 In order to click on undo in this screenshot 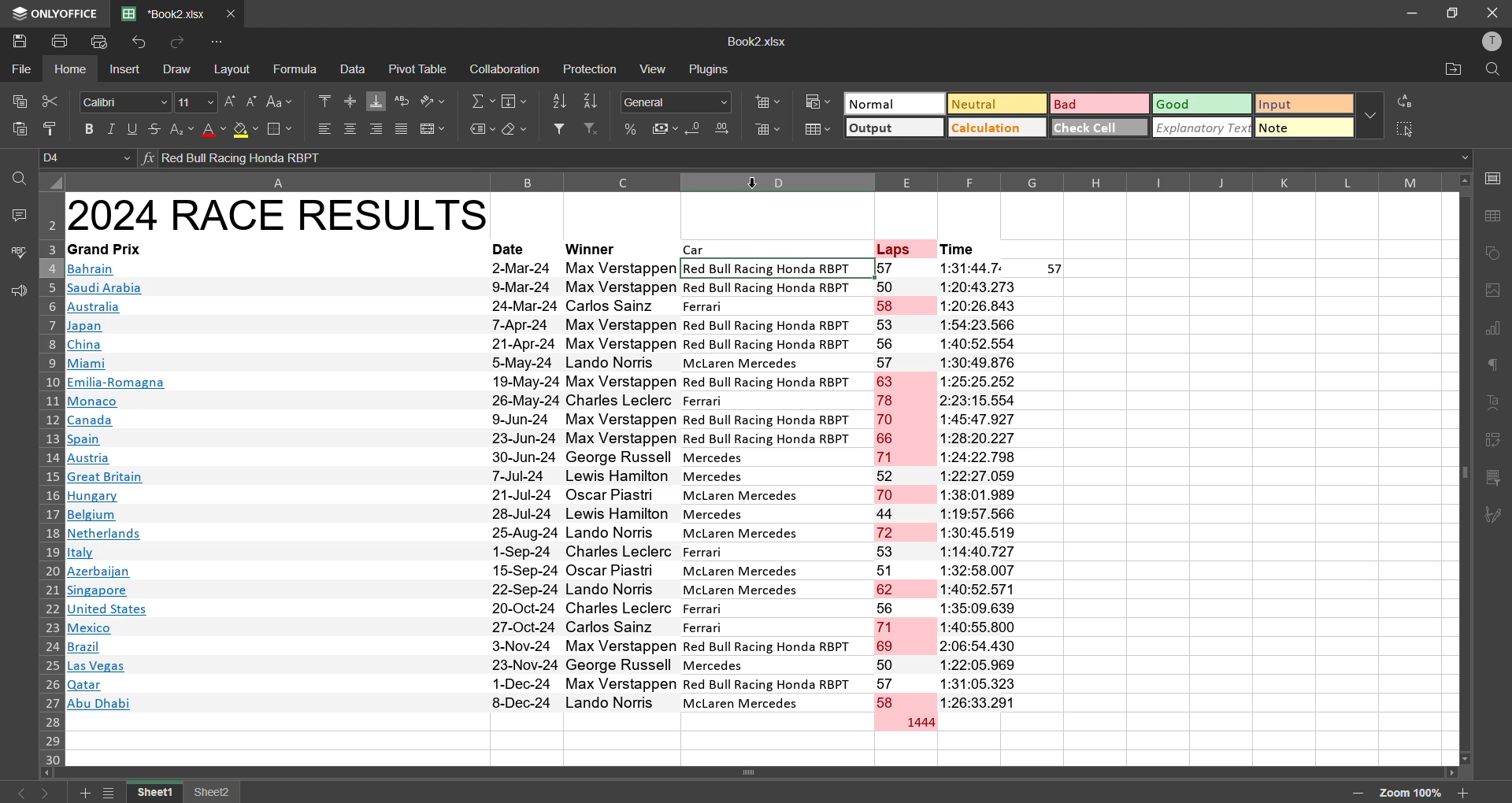, I will do `click(143, 43)`.